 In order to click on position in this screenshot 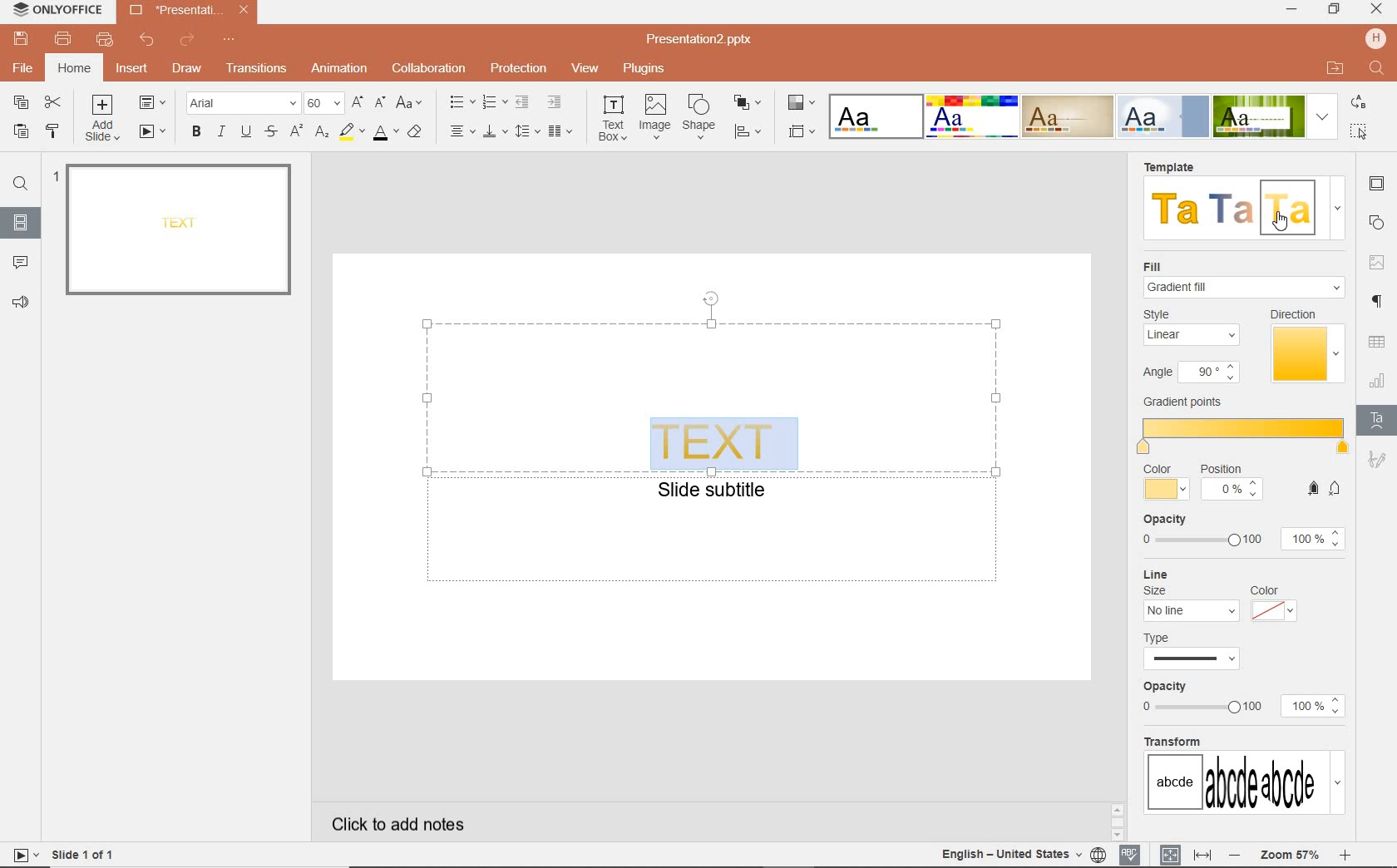, I will do `click(1233, 485)`.